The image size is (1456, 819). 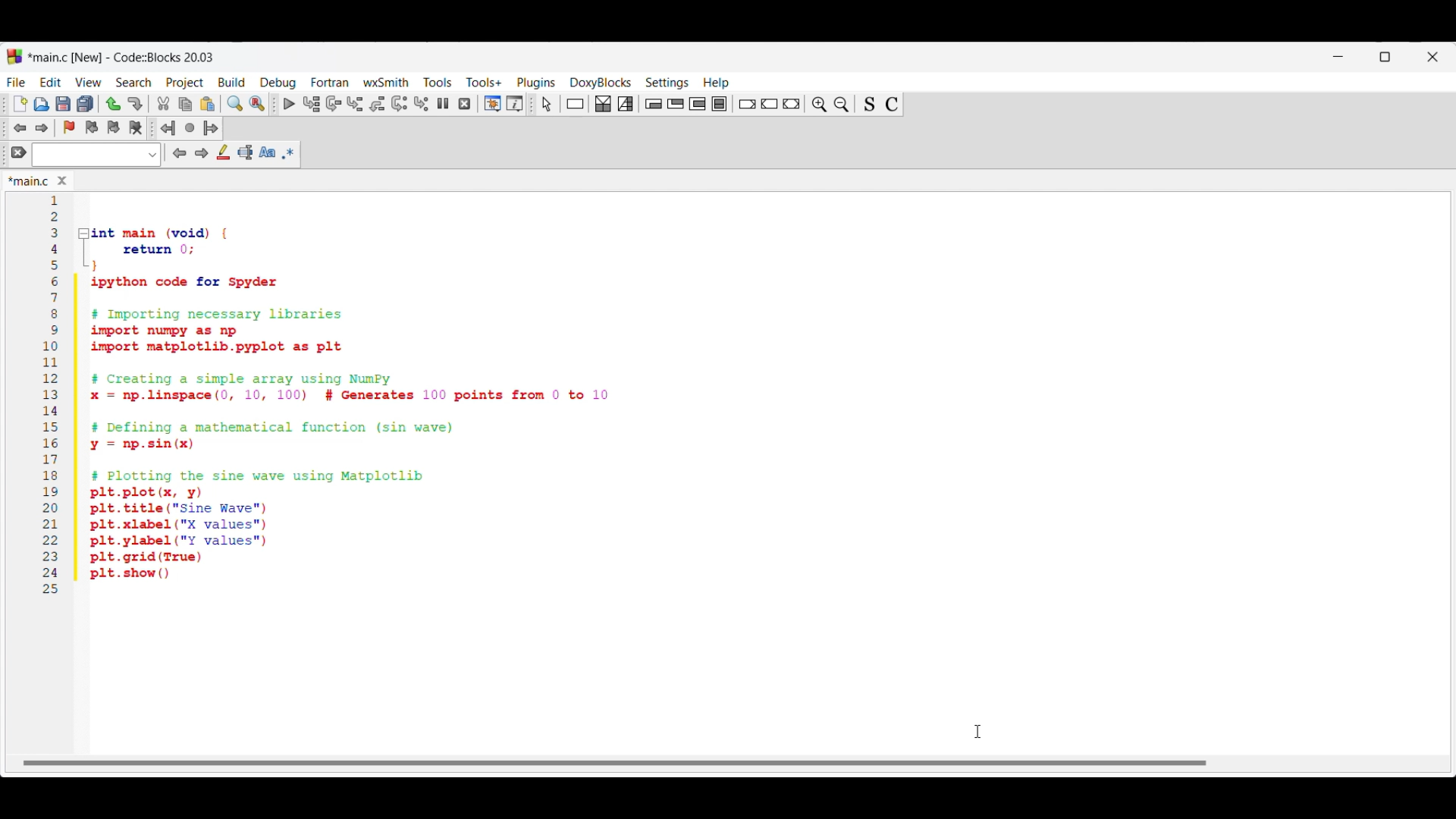 What do you see at coordinates (91, 127) in the screenshot?
I see `Previous bookmark` at bounding box center [91, 127].